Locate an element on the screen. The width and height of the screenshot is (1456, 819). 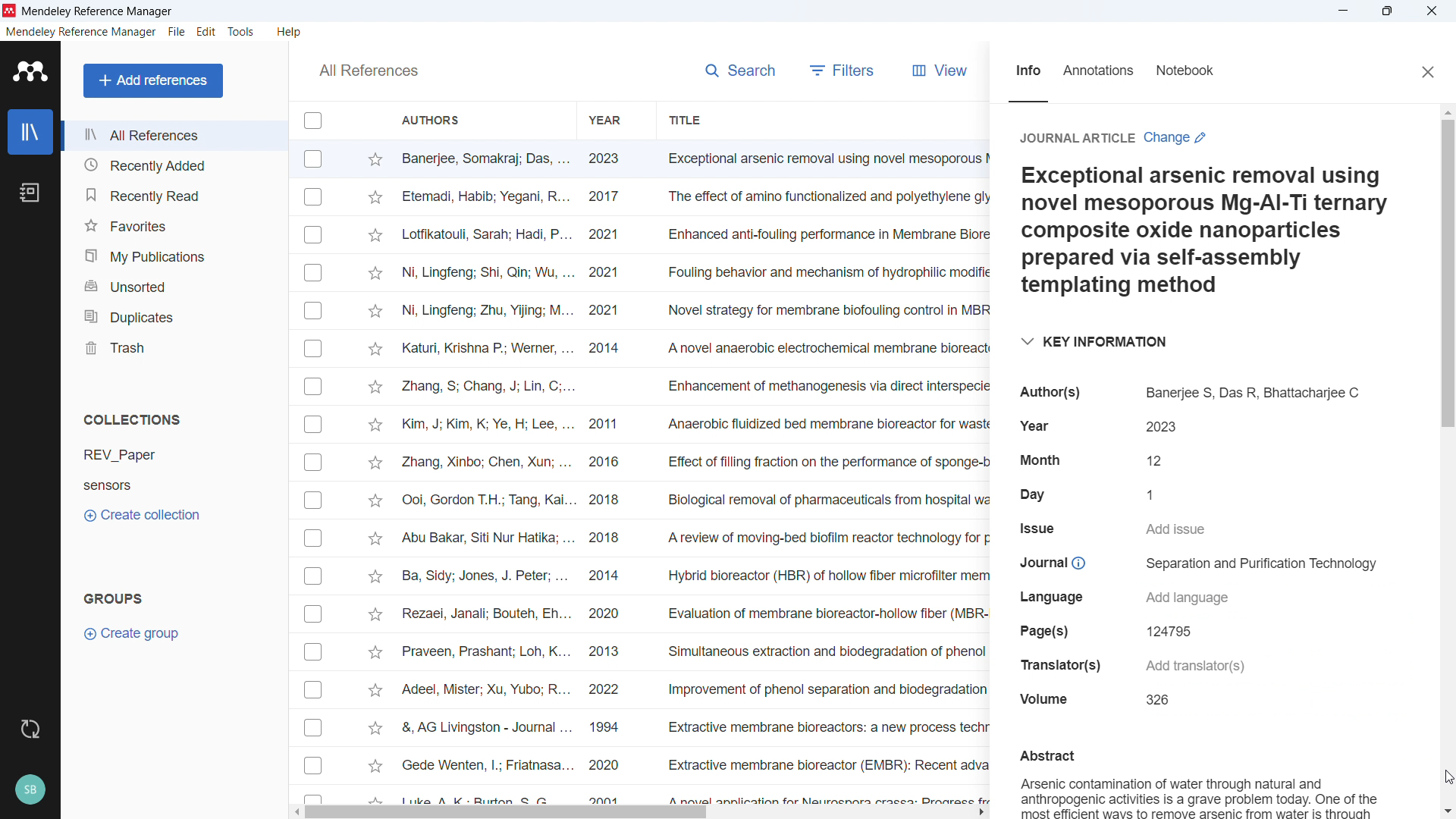
click to select individual entry is located at coordinates (315, 272).